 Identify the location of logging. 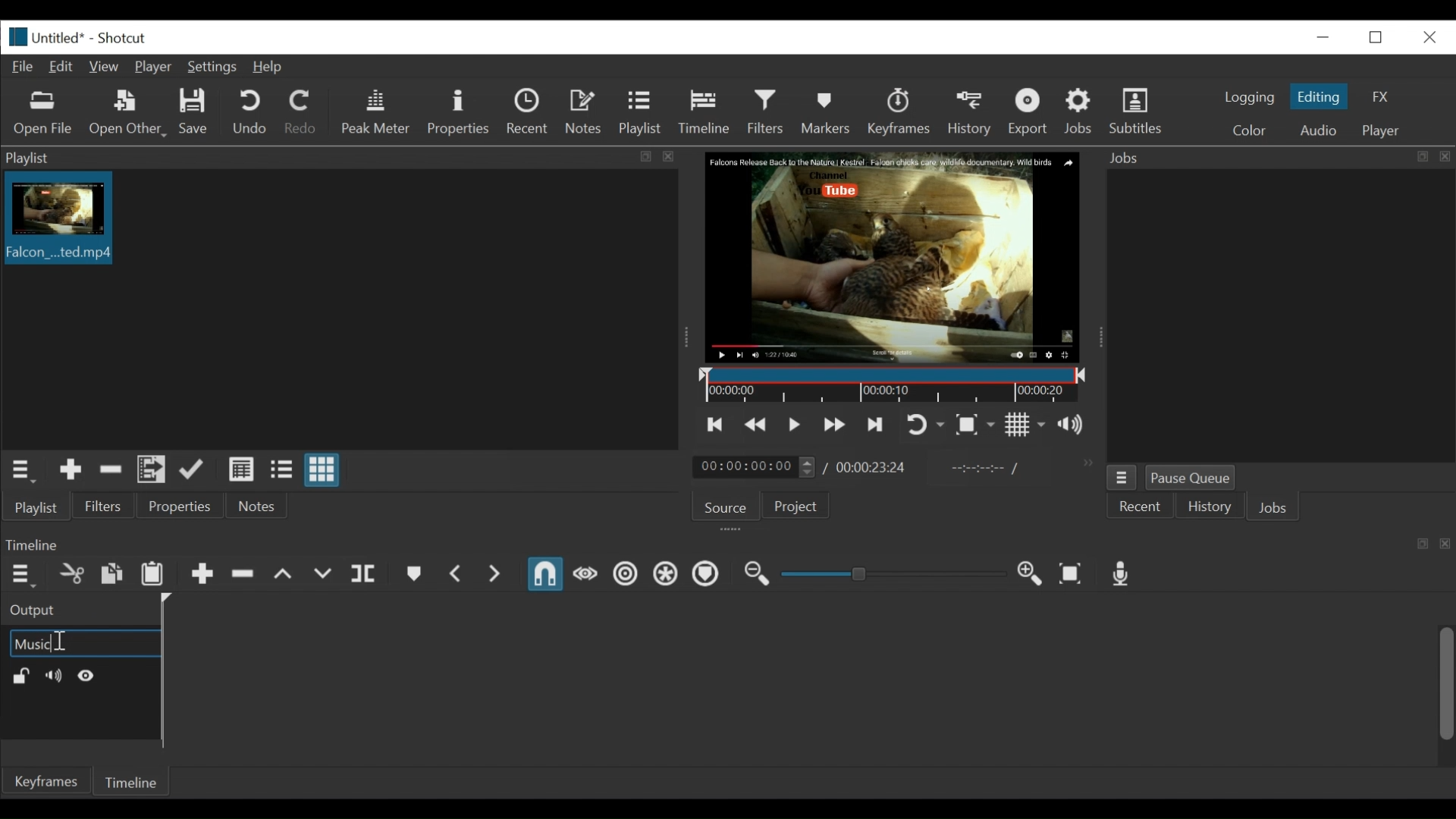
(1250, 99).